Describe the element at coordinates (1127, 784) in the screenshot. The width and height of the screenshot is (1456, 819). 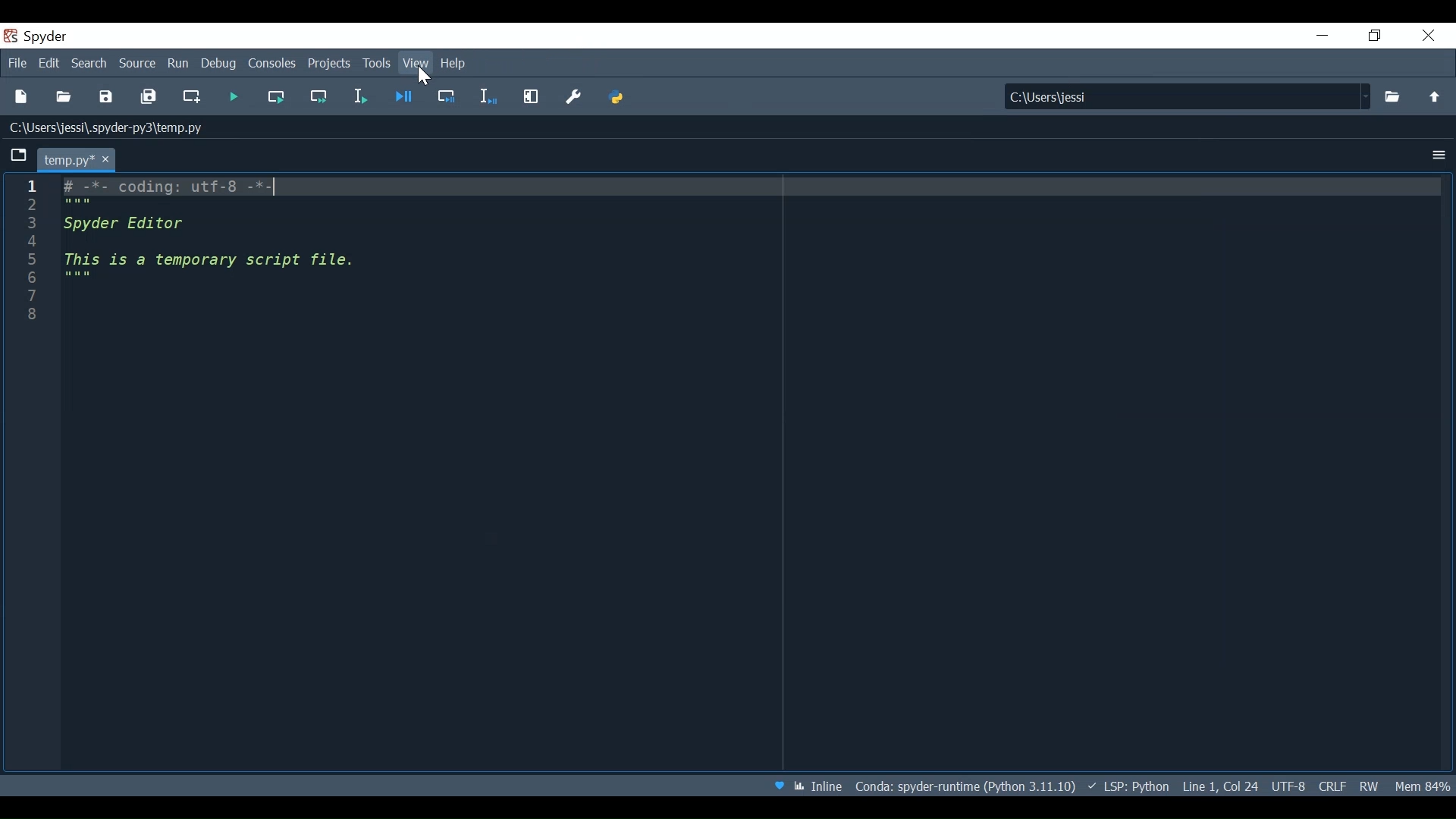
I see `Language` at that location.